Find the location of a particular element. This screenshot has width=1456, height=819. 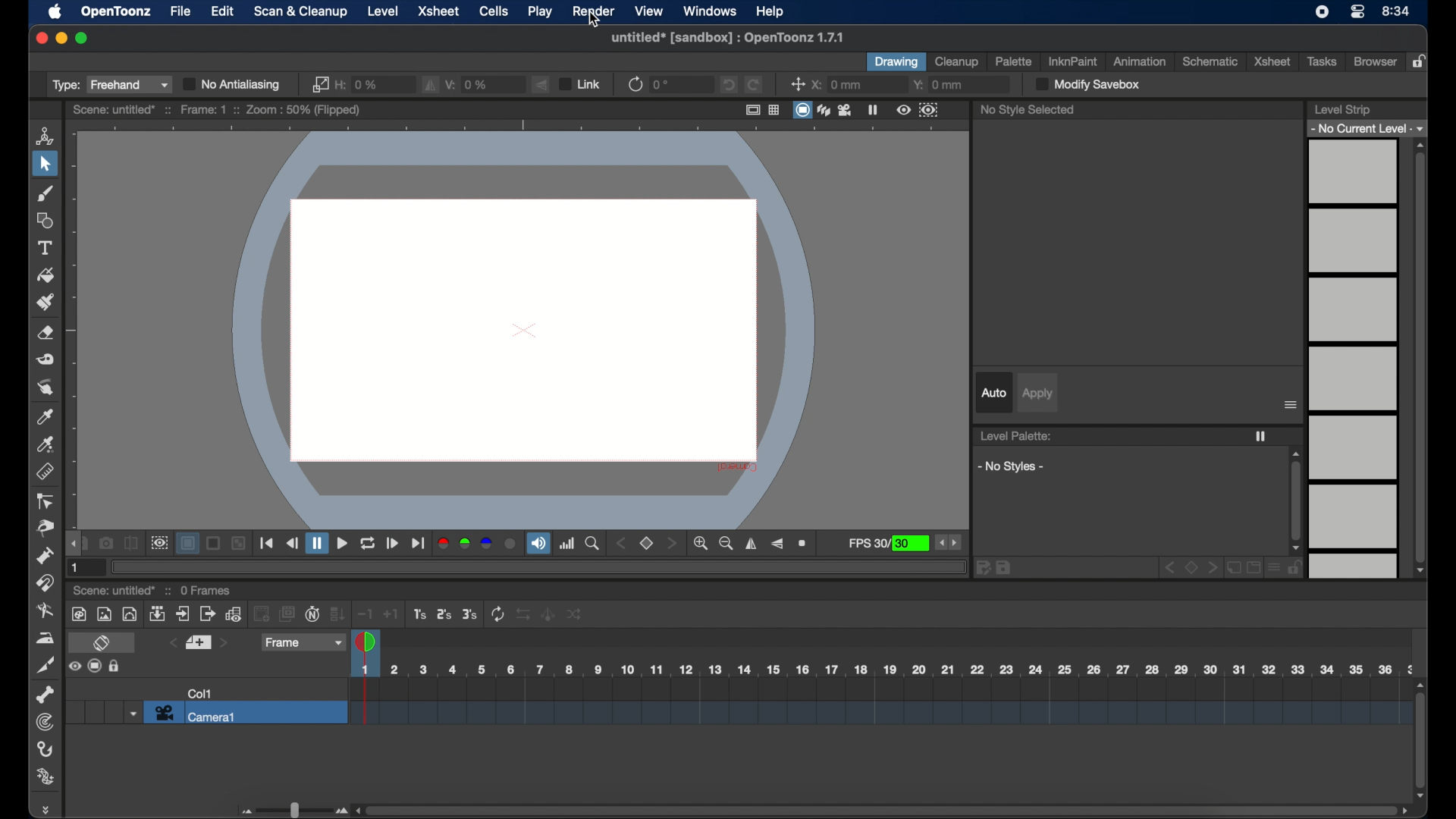

inkinpaint is located at coordinates (1074, 61).